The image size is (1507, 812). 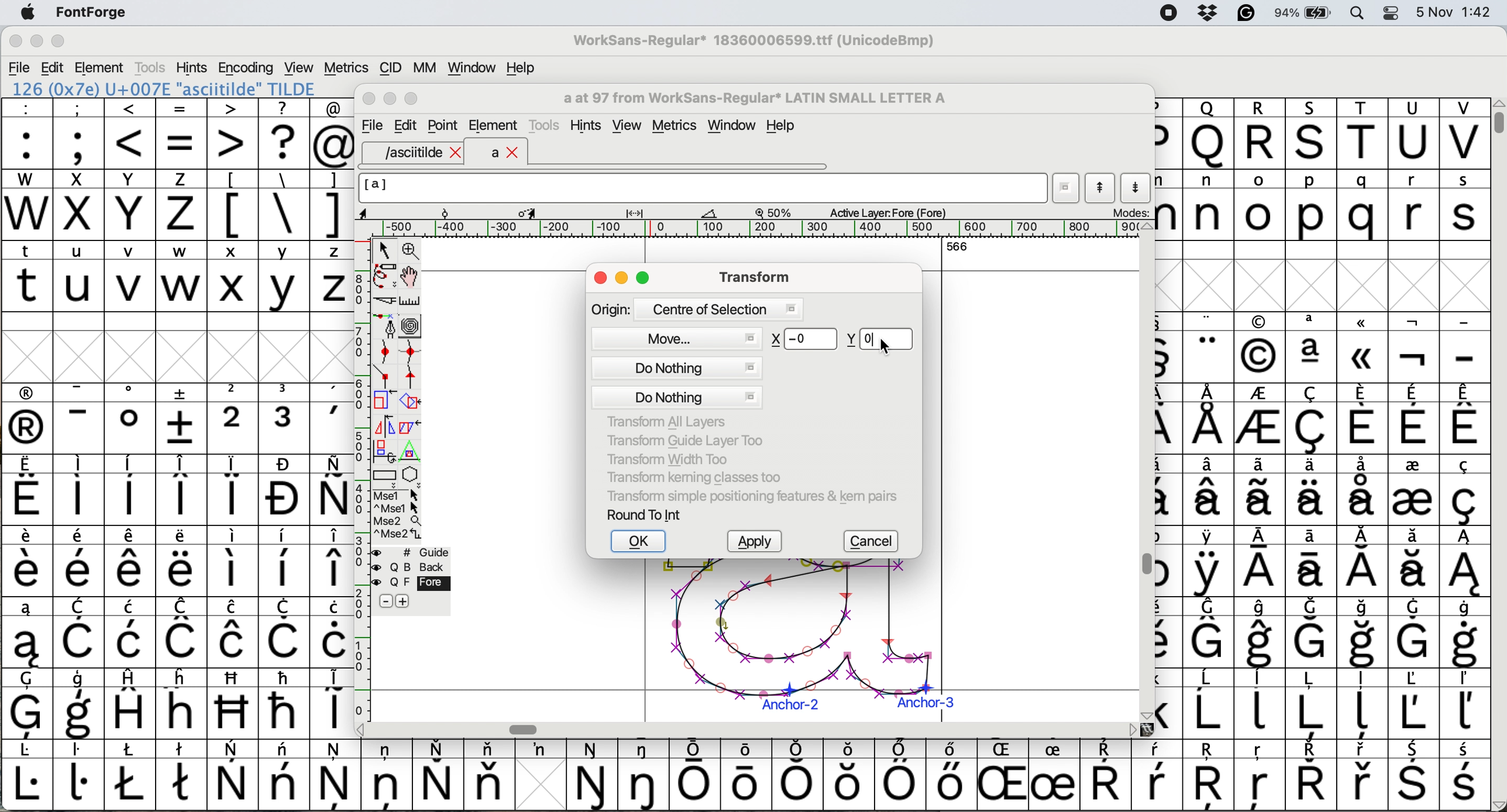 I want to click on vertical scroll bar, so click(x=1496, y=117).